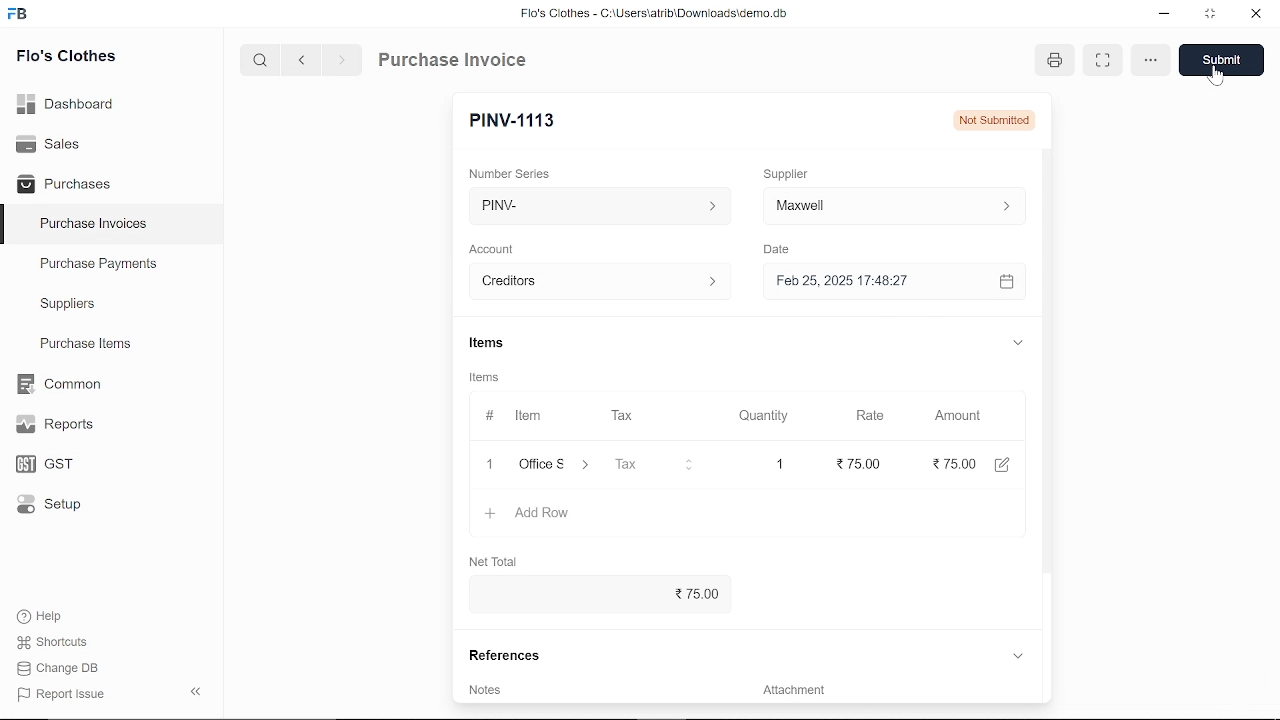 The image size is (1280, 720). Describe the element at coordinates (83, 345) in the screenshot. I see `Purchase ltems` at that location.